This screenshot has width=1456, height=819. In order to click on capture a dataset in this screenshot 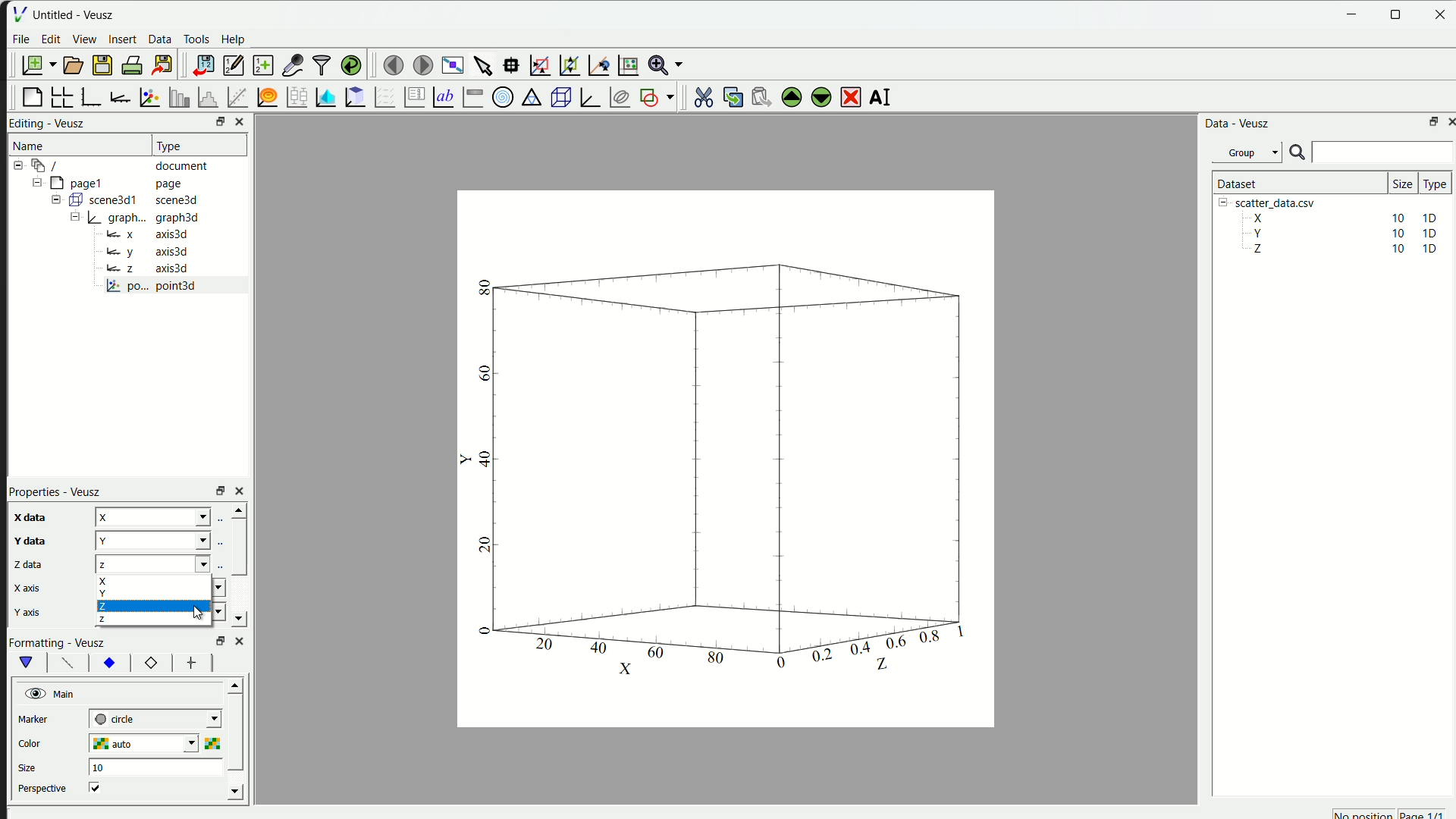, I will do `click(292, 63)`.